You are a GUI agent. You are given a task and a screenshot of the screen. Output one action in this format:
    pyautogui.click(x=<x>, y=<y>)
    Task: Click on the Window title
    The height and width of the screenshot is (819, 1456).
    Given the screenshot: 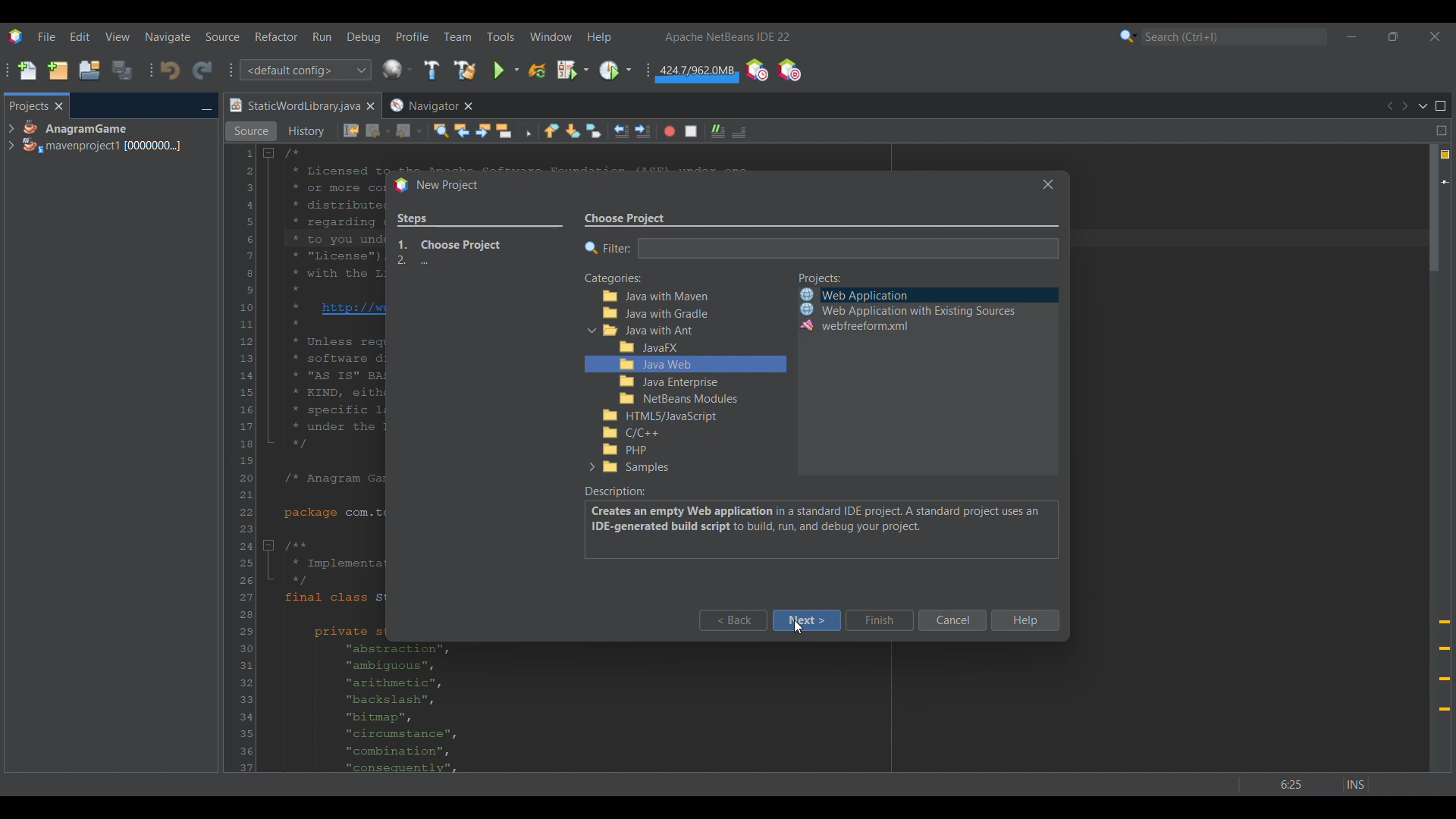 What is the action you would take?
    pyautogui.click(x=438, y=186)
    